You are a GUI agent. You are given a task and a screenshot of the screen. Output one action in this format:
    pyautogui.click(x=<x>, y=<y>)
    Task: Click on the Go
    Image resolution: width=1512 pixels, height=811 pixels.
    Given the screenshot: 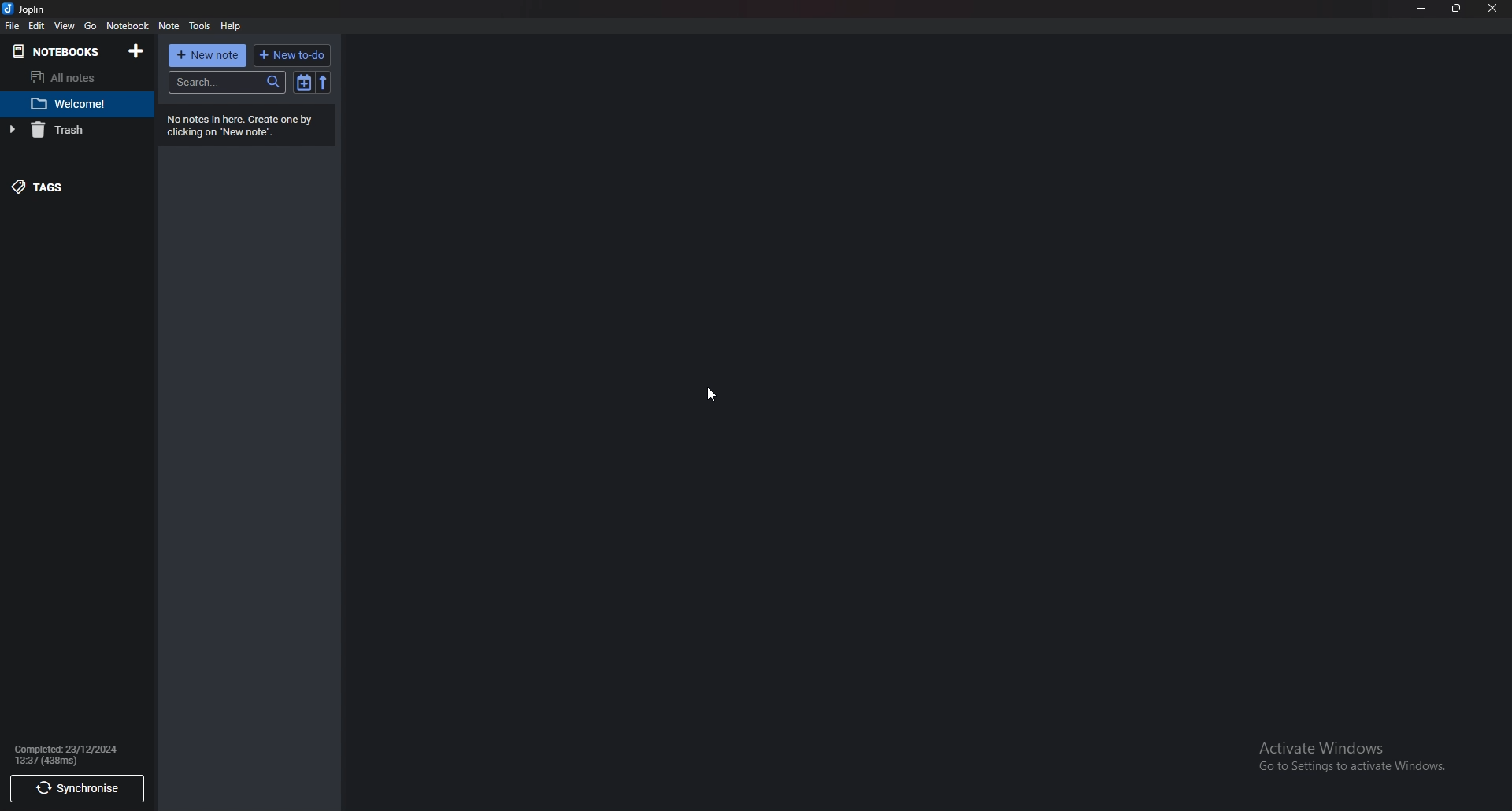 What is the action you would take?
    pyautogui.click(x=90, y=26)
    